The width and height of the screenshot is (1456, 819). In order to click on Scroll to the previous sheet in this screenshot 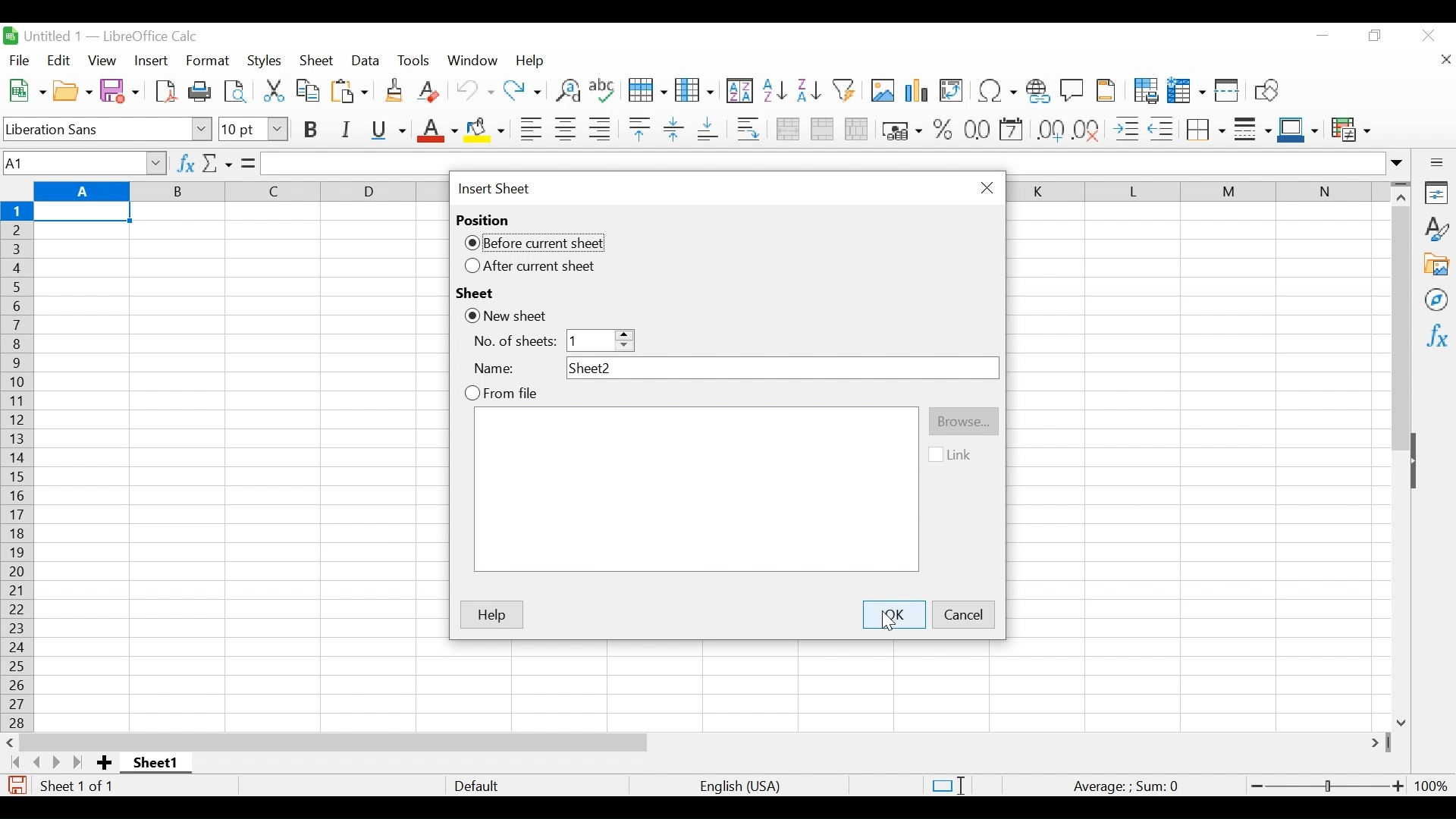, I will do `click(35, 762)`.